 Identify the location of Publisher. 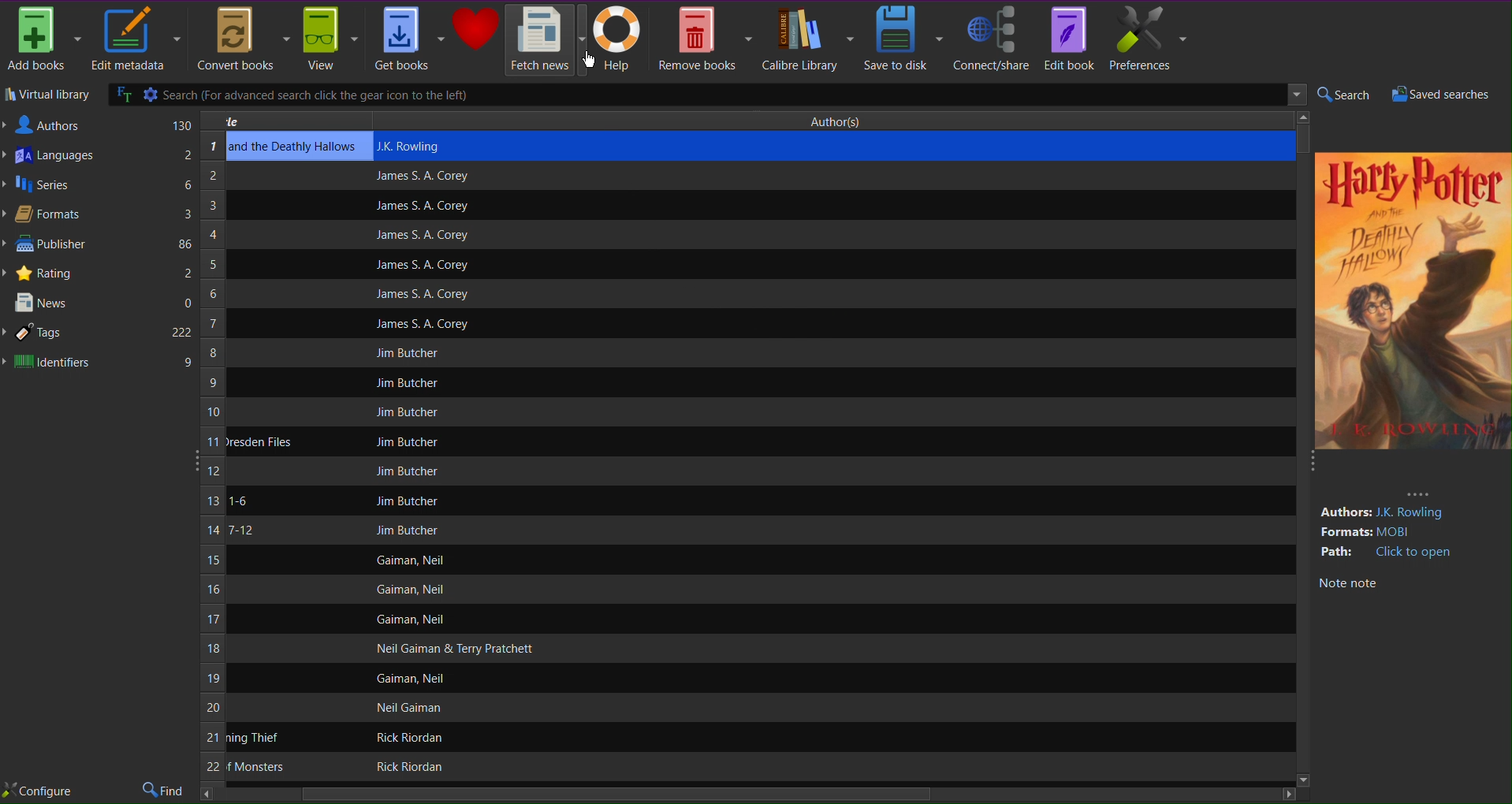
(99, 246).